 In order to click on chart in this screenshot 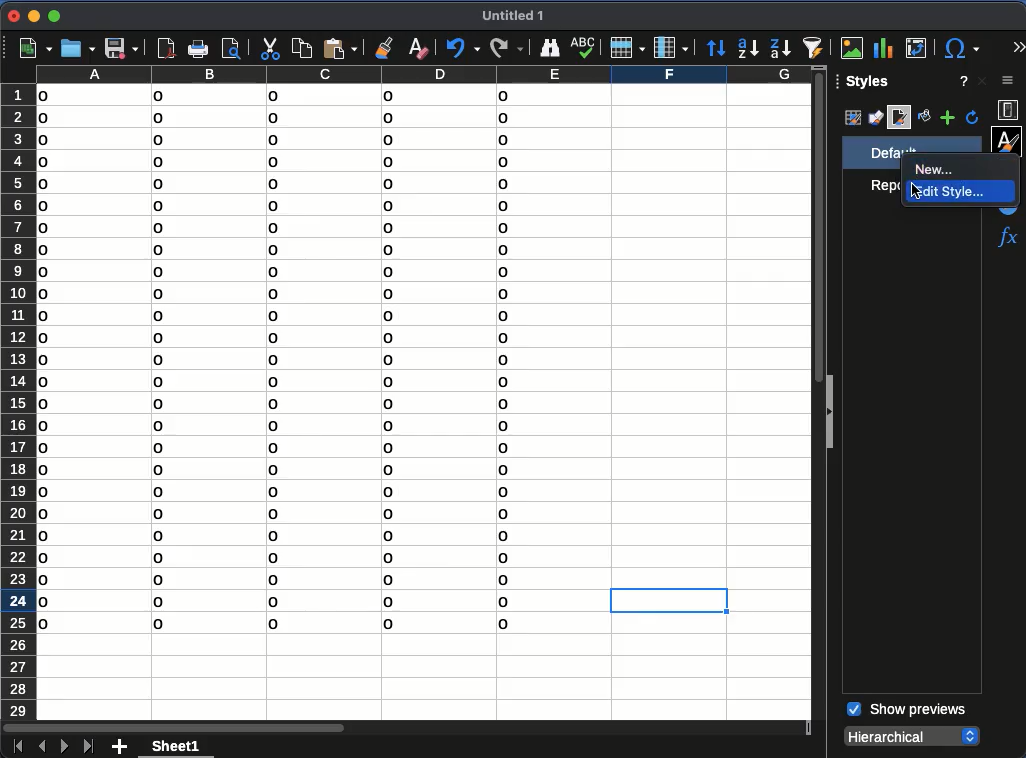, I will do `click(882, 47)`.